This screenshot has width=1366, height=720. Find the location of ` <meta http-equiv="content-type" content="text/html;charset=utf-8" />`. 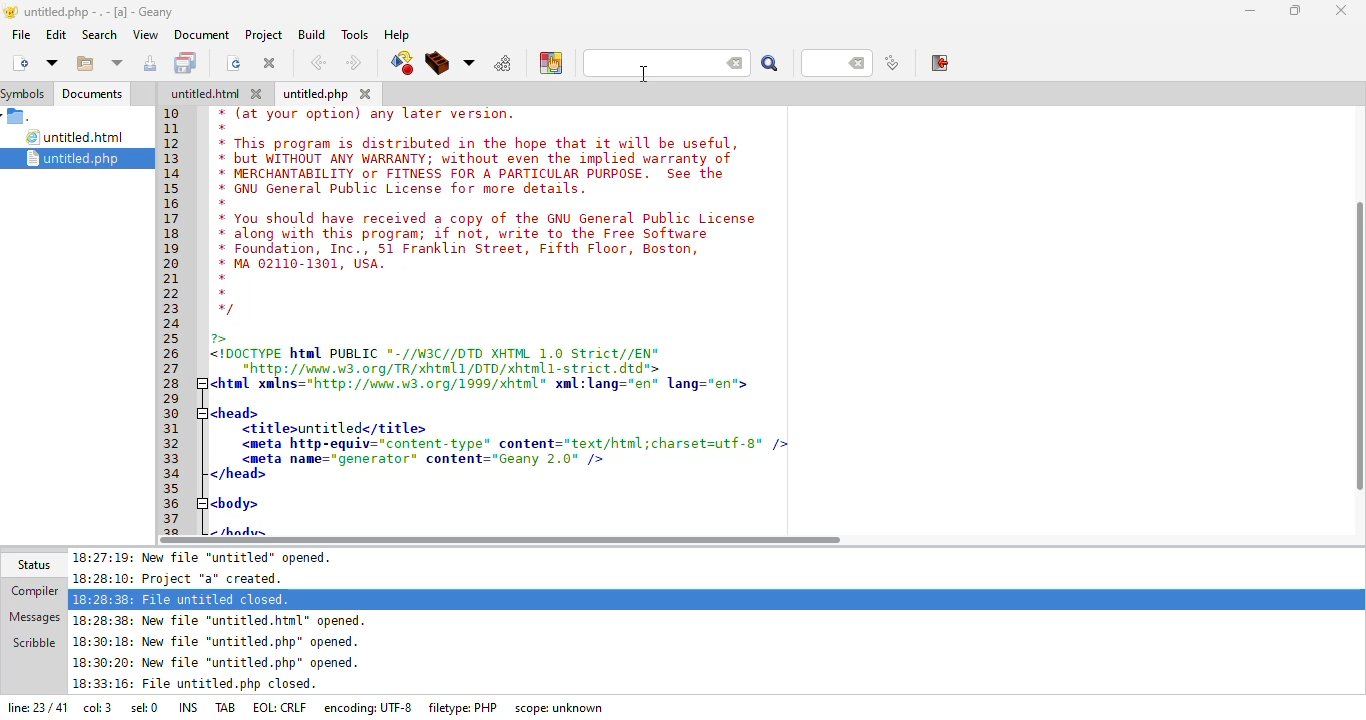

 <meta http-equiv="content-type" content="text/html;charset=utf-8" /> is located at coordinates (513, 443).